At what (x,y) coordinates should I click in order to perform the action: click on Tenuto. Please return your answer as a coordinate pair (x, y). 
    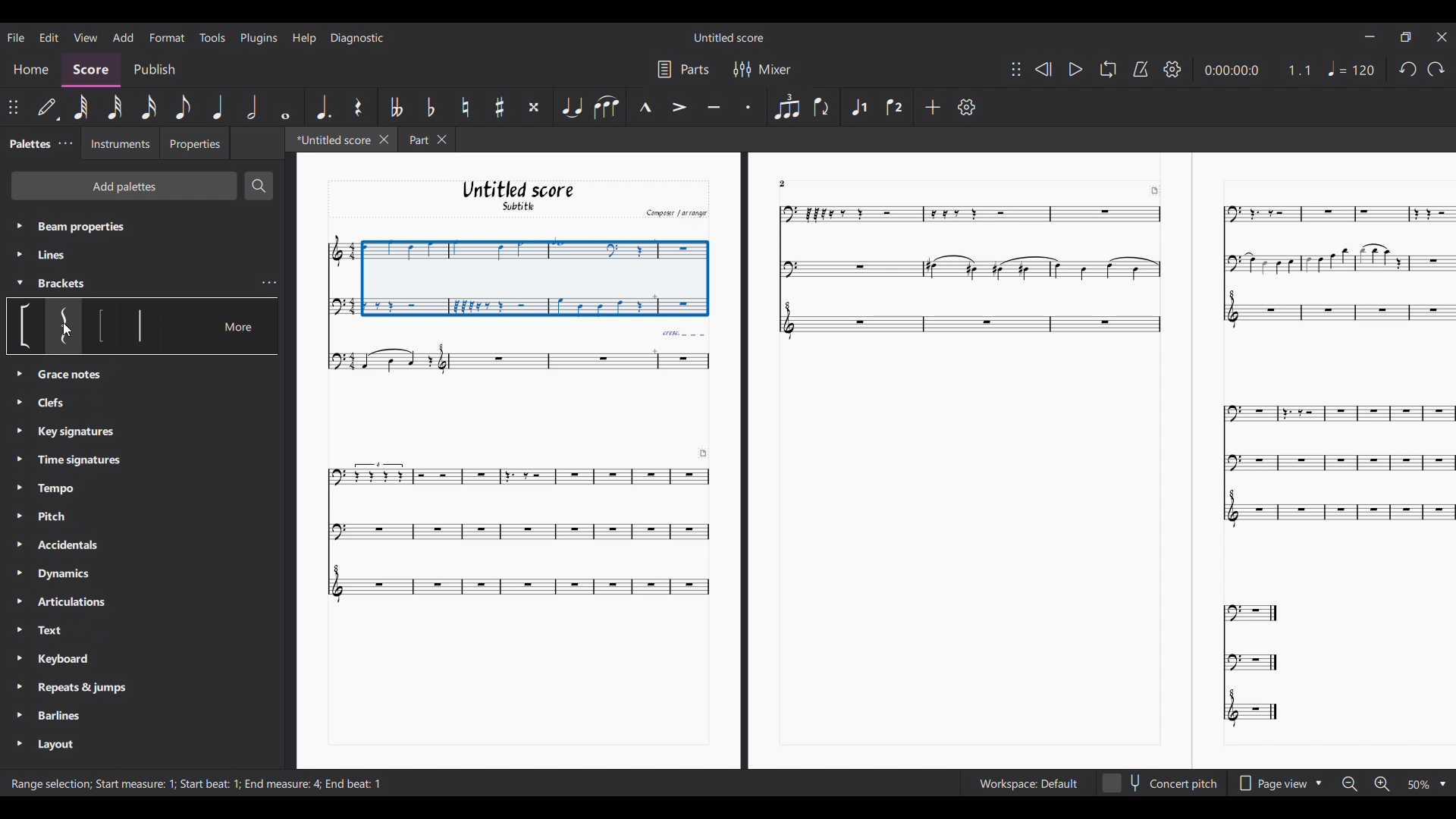
    Looking at the image, I should click on (713, 105).